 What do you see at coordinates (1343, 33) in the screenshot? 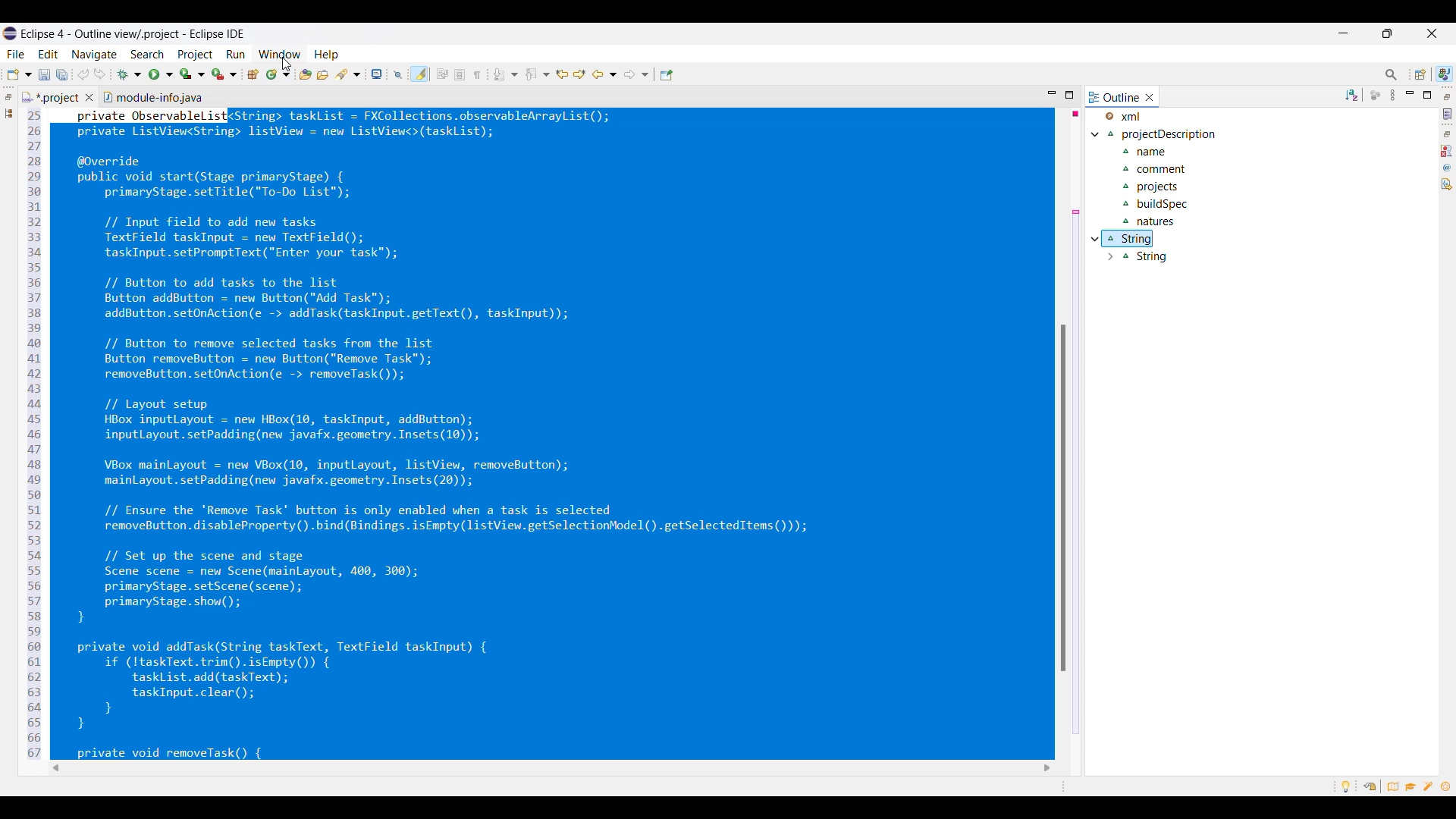
I see `Minimize` at bounding box center [1343, 33].